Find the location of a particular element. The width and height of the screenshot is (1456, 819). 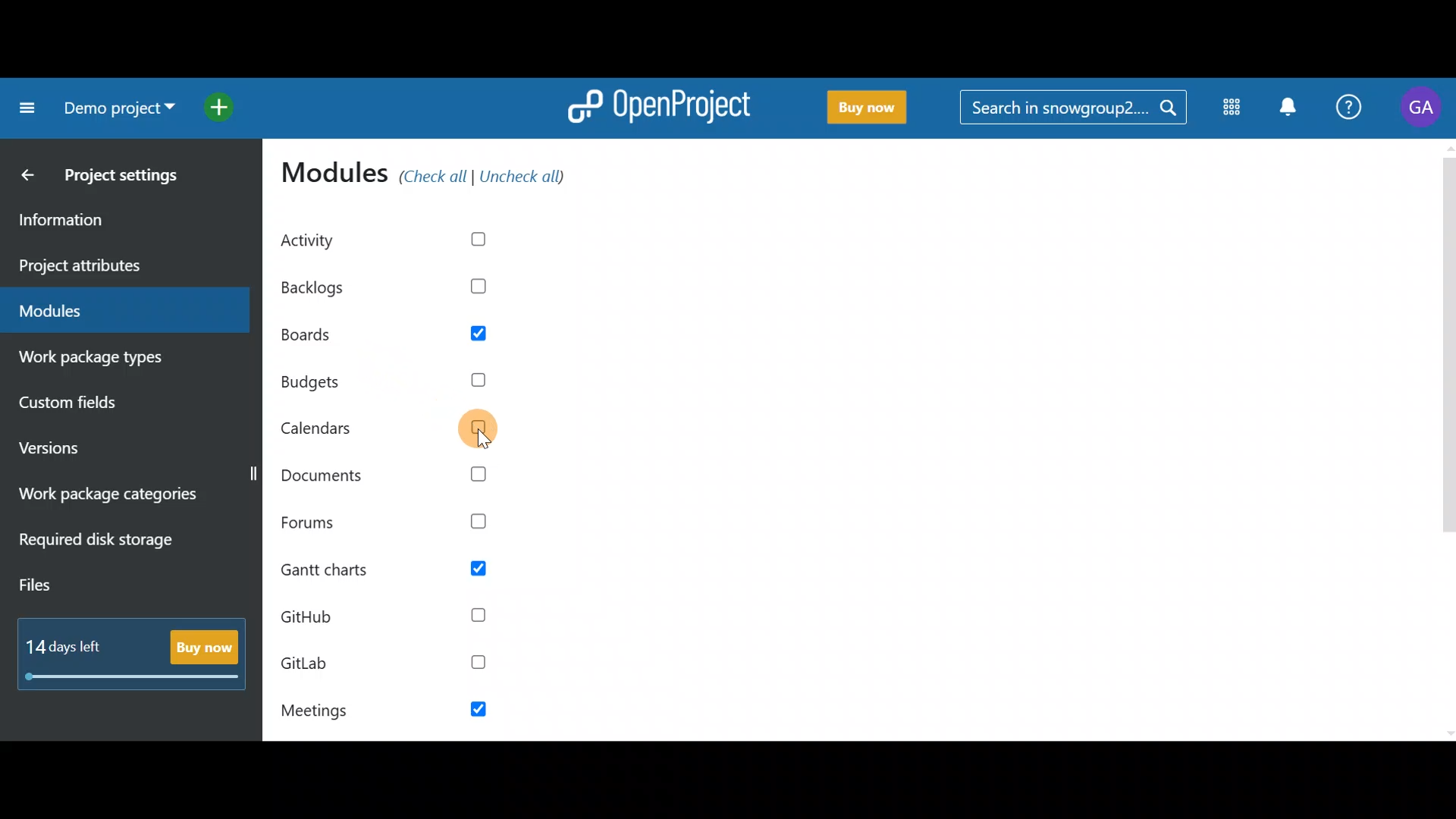

Scroll bar is located at coordinates (1447, 441).